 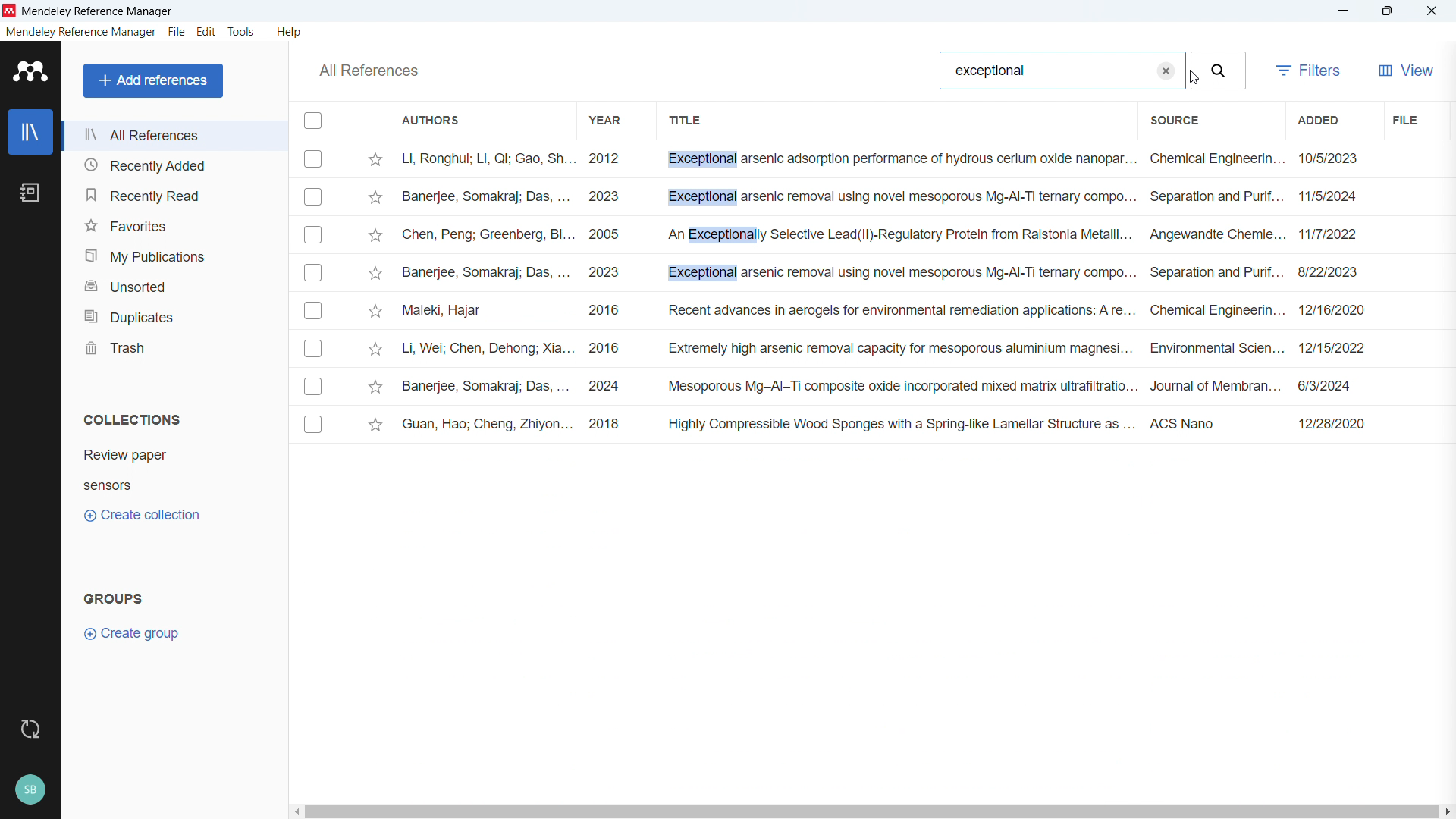 What do you see at coordinates (369, 71) in the screenshot?
I see `` at bounding box center [369, 71].